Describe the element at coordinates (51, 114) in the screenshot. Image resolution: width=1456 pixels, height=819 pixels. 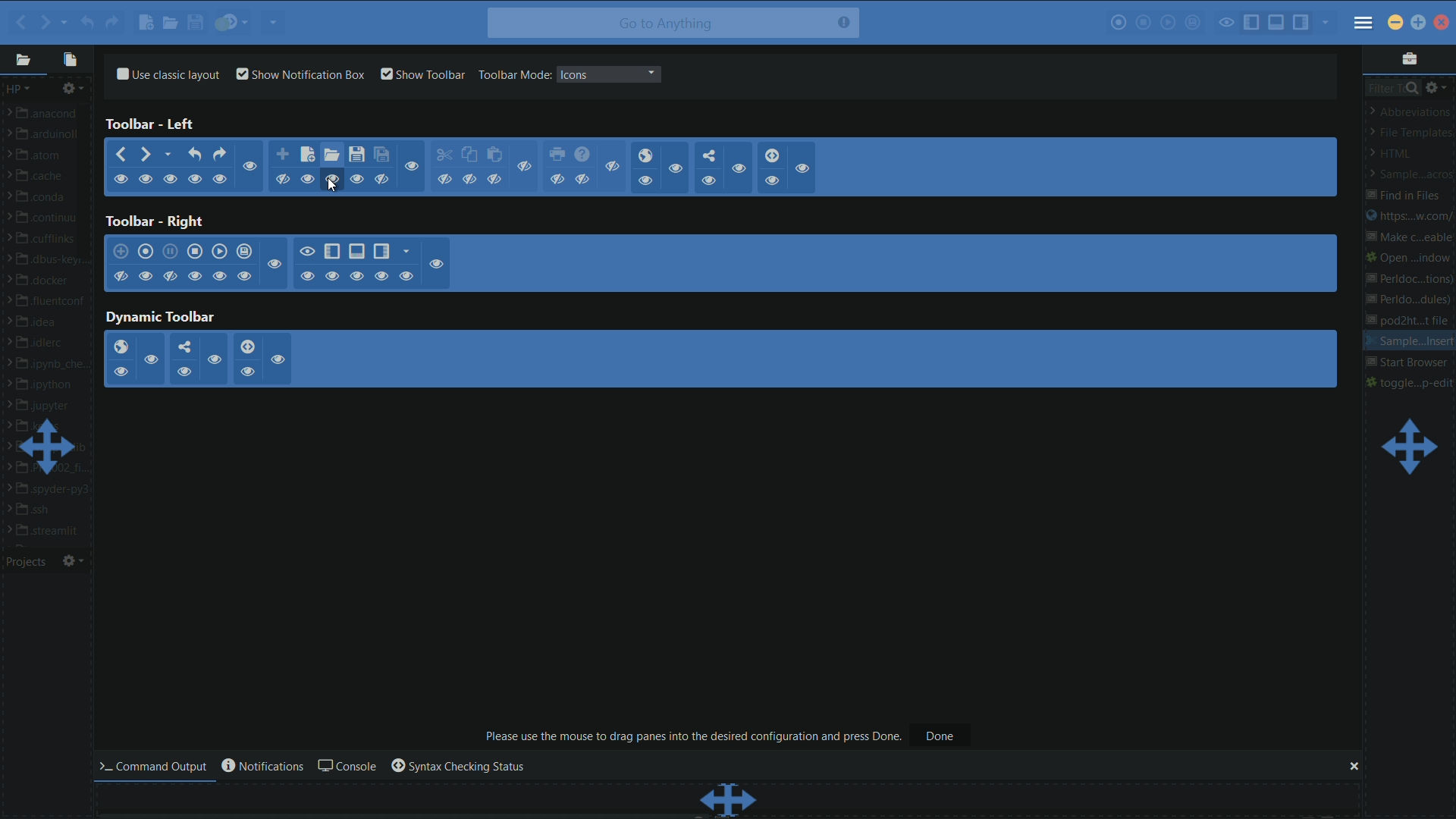
I see `anacond` at that location.